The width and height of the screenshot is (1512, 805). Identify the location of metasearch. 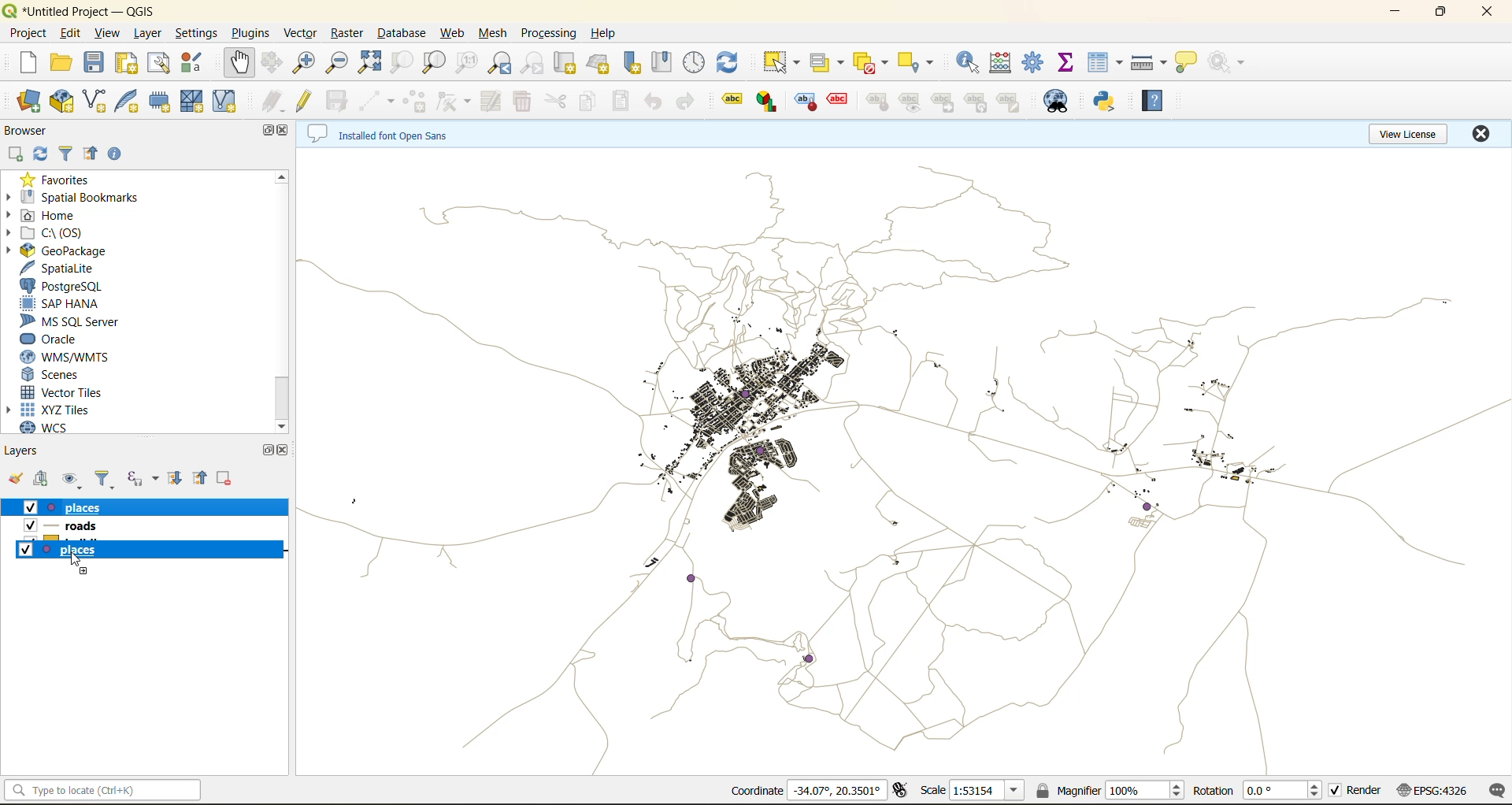
(1058, 102).